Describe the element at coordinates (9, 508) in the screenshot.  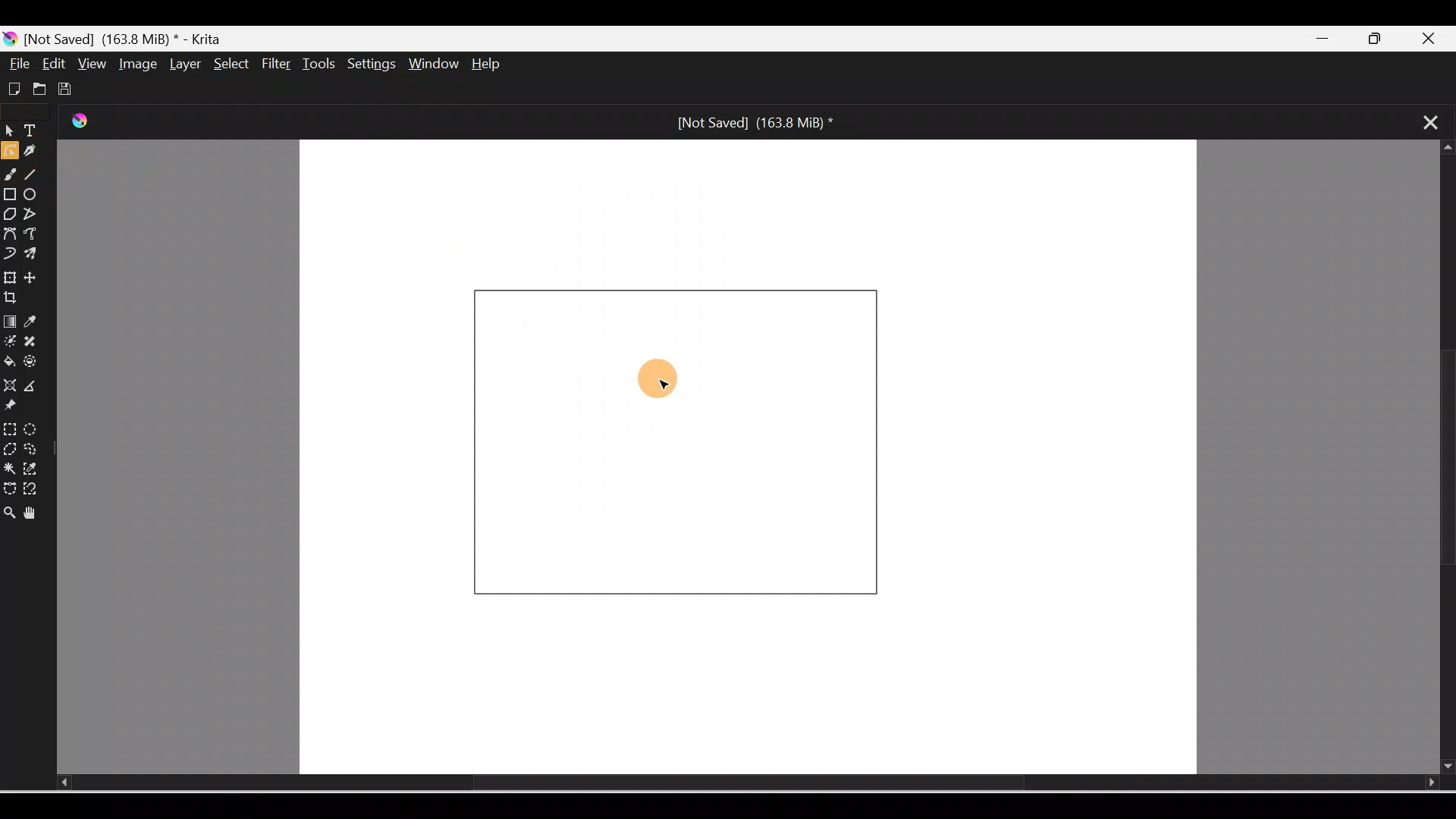
I see `Zoom tool` at that location.